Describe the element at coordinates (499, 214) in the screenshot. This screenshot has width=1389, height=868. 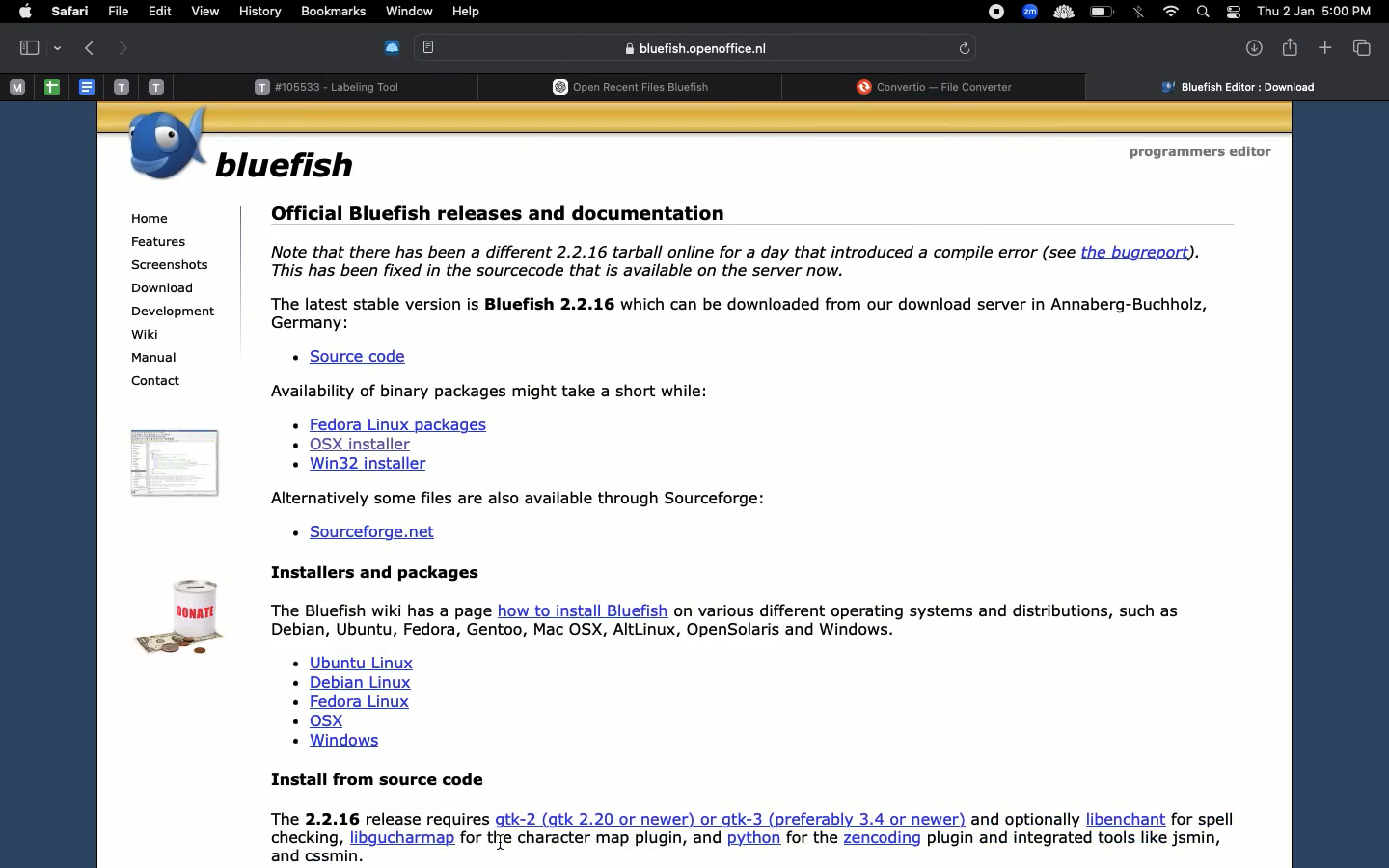
I see `official bluefish releases` at that location.